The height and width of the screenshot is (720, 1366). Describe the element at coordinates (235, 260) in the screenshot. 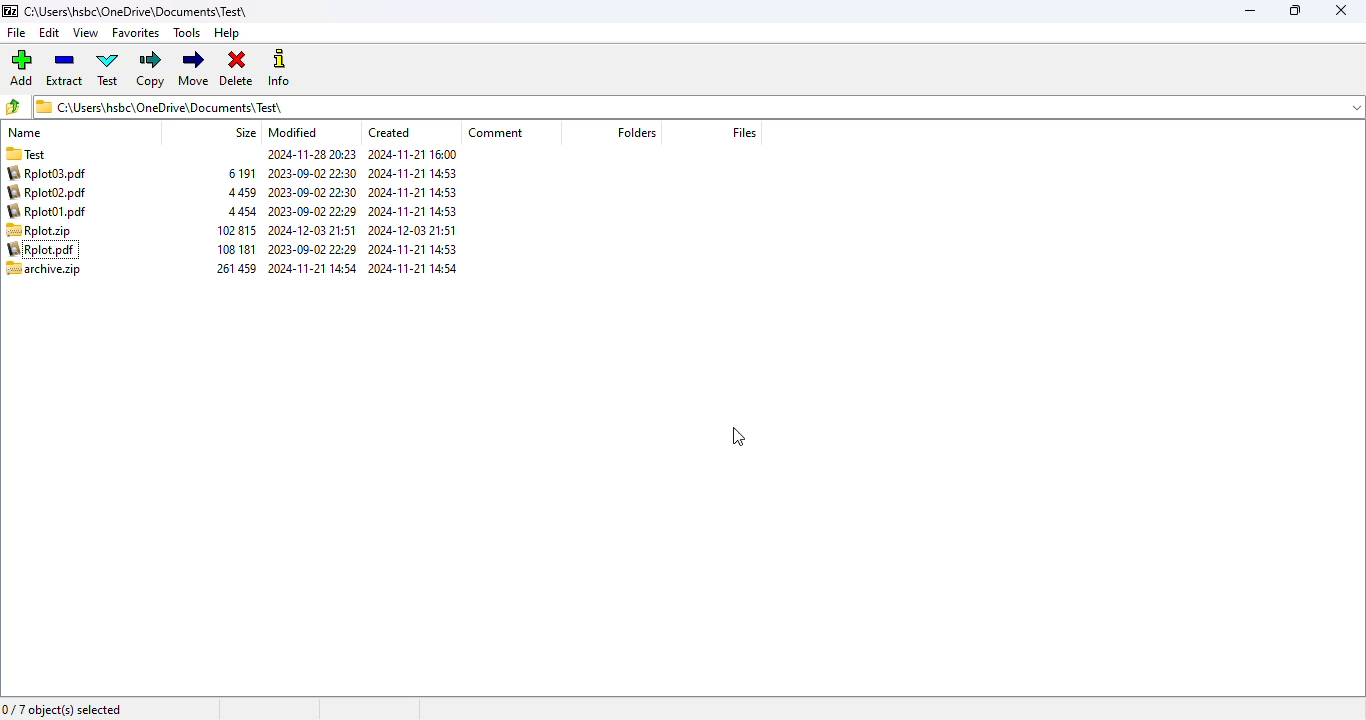

I see `archive` at that location.